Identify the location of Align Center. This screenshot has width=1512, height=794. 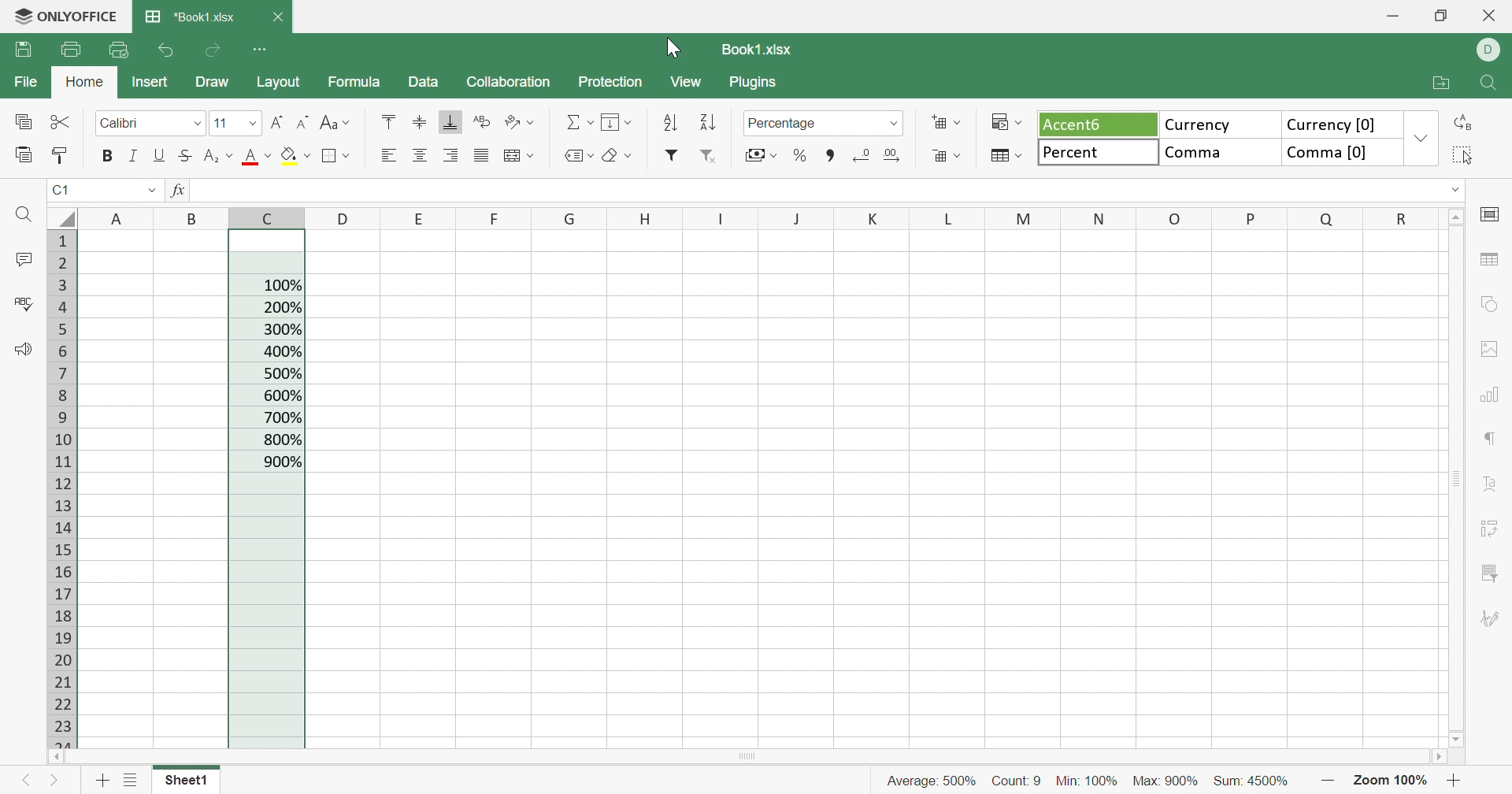
(420, 153).